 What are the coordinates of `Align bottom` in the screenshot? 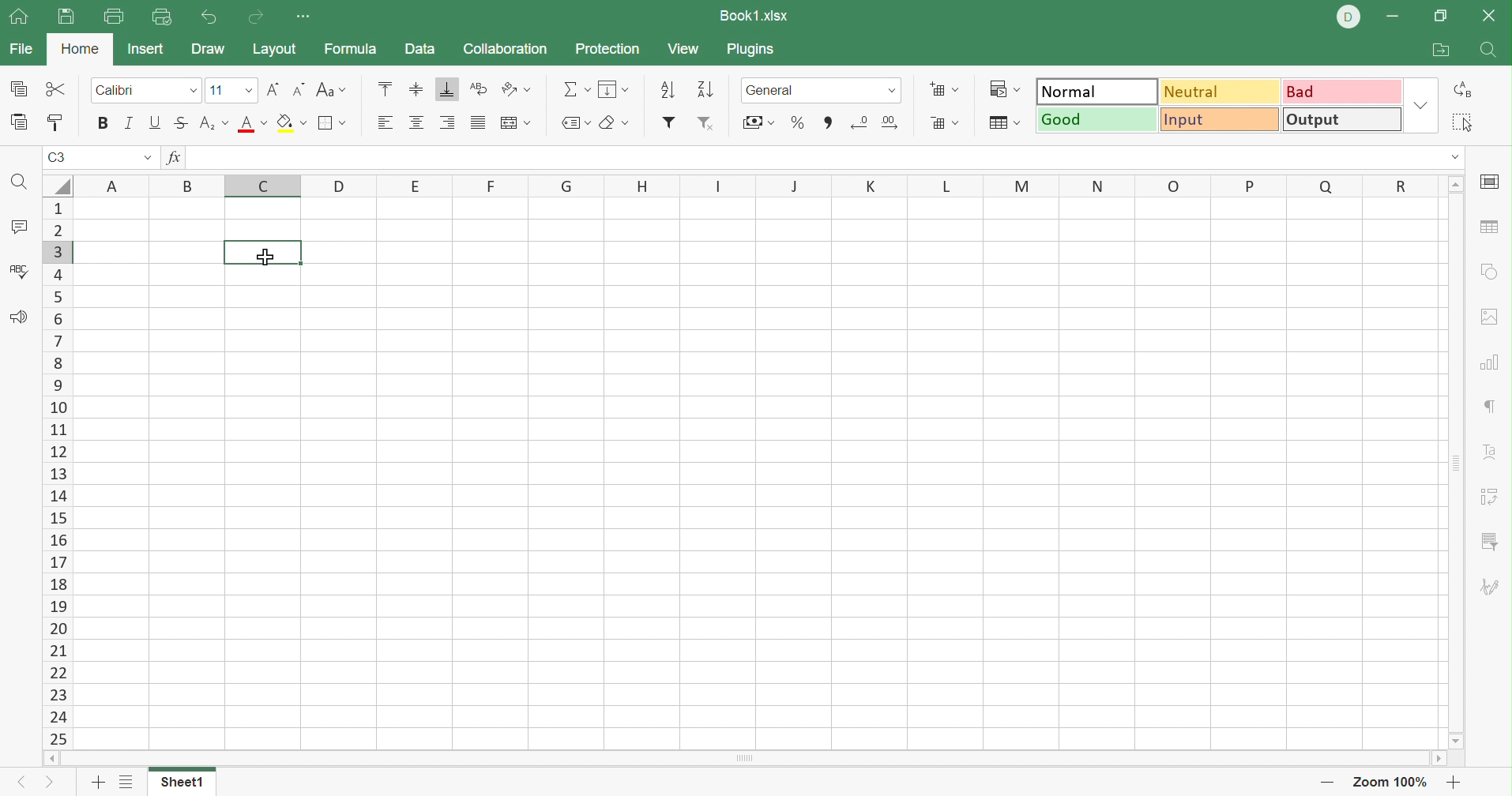 It's located at (449, 88).